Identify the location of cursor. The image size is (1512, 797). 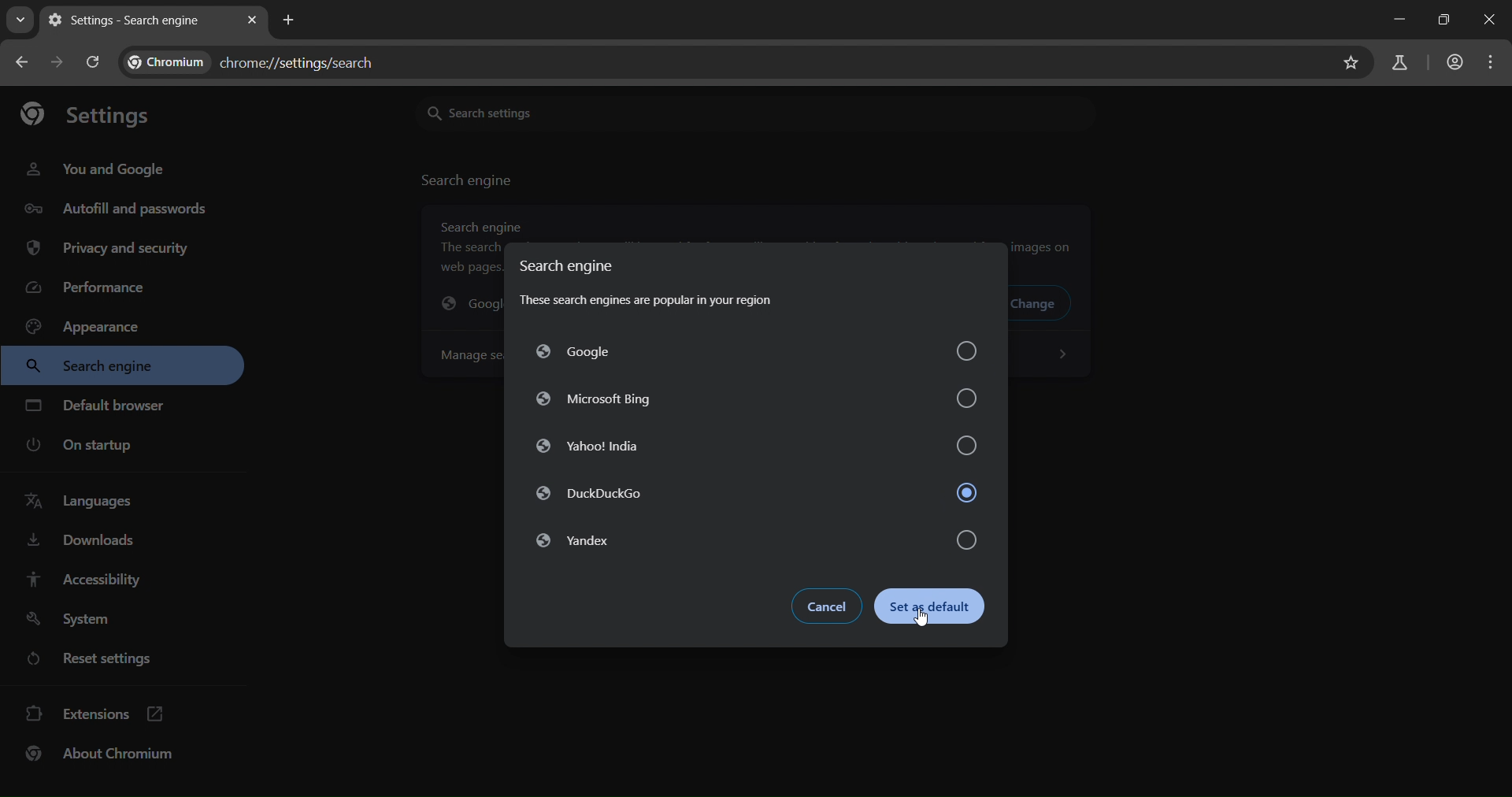
(927, 621).